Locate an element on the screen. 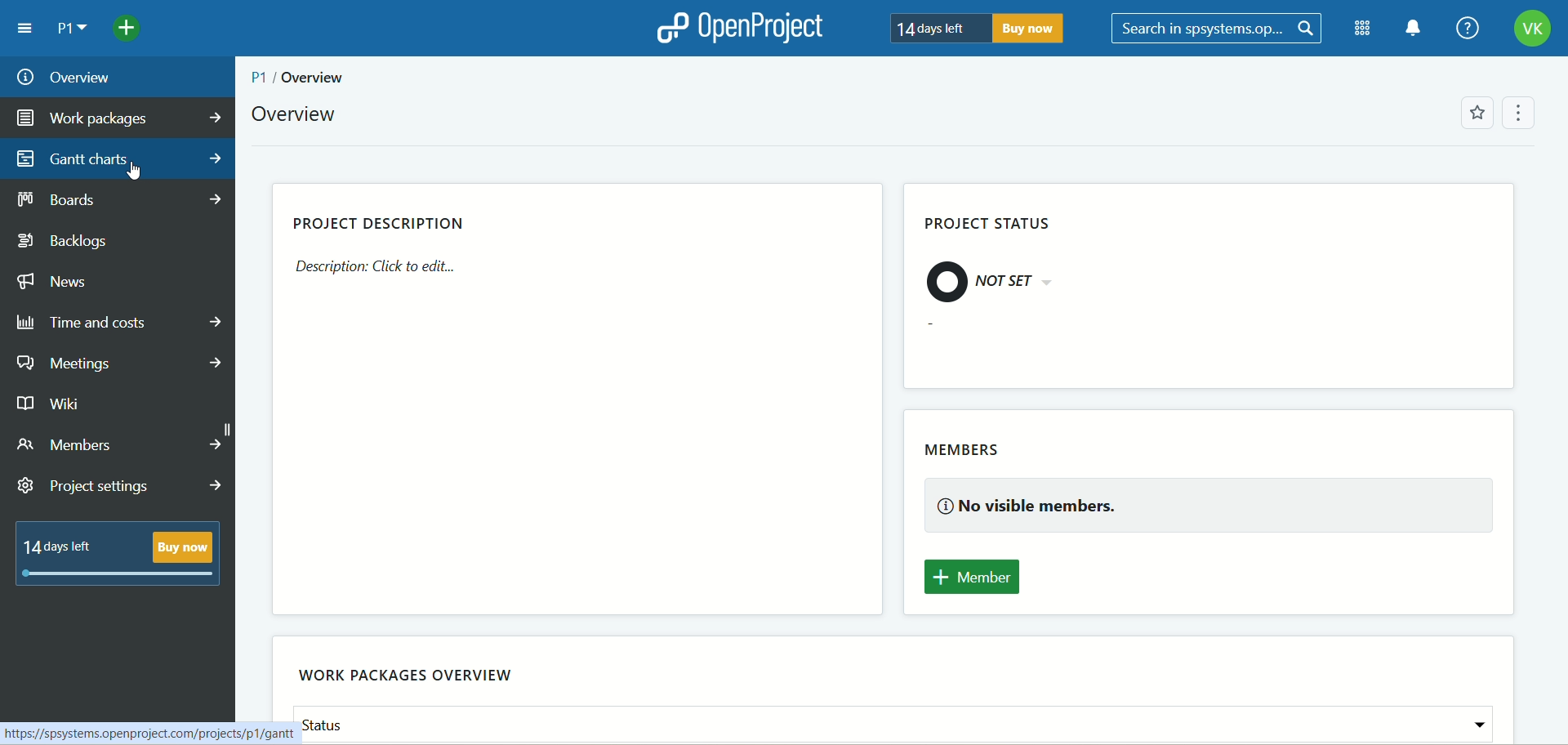  project settings is located at coordinates (122, 487).